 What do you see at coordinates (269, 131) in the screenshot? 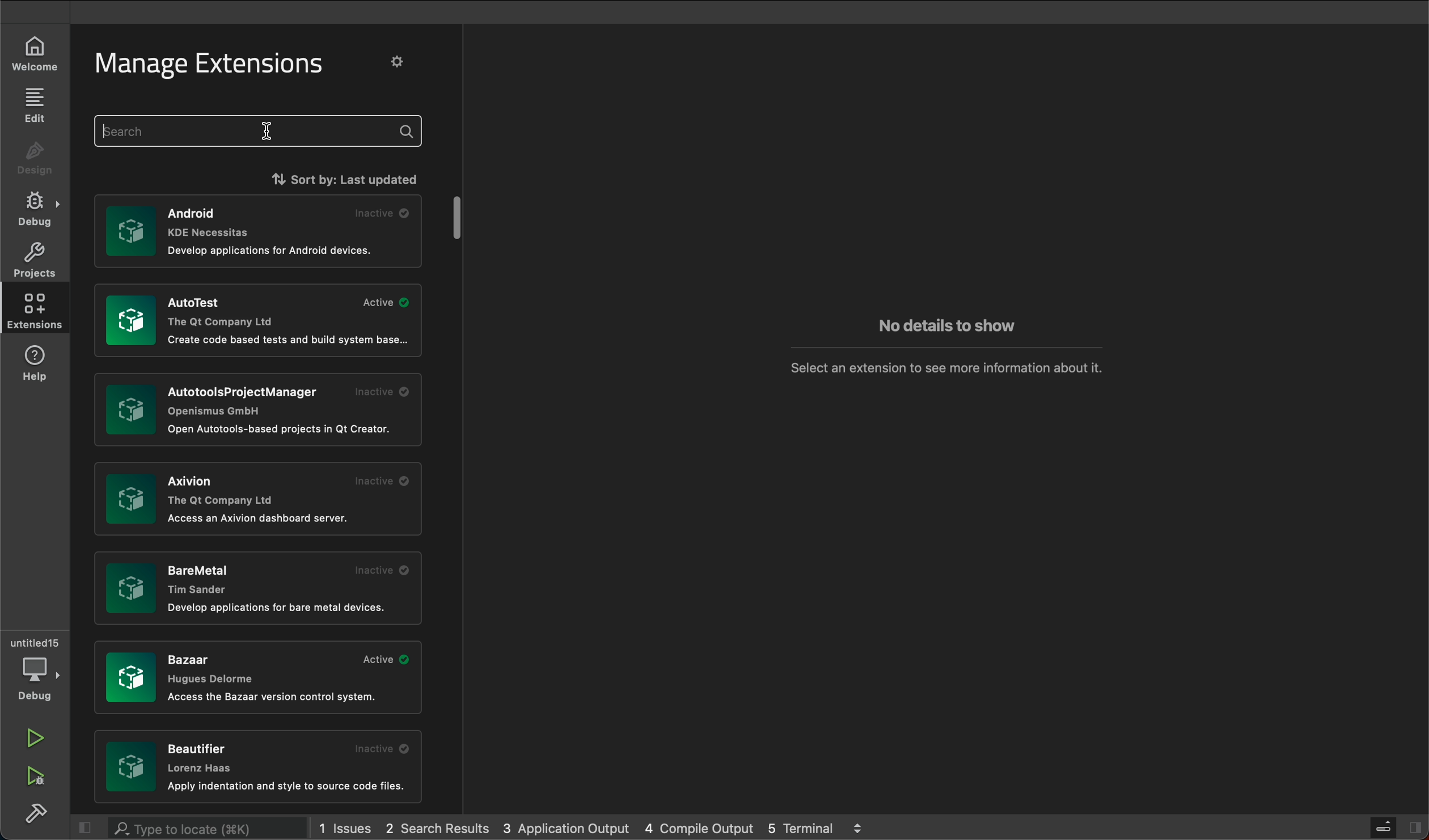
I see `cursor` at bounding box center [269, 131].